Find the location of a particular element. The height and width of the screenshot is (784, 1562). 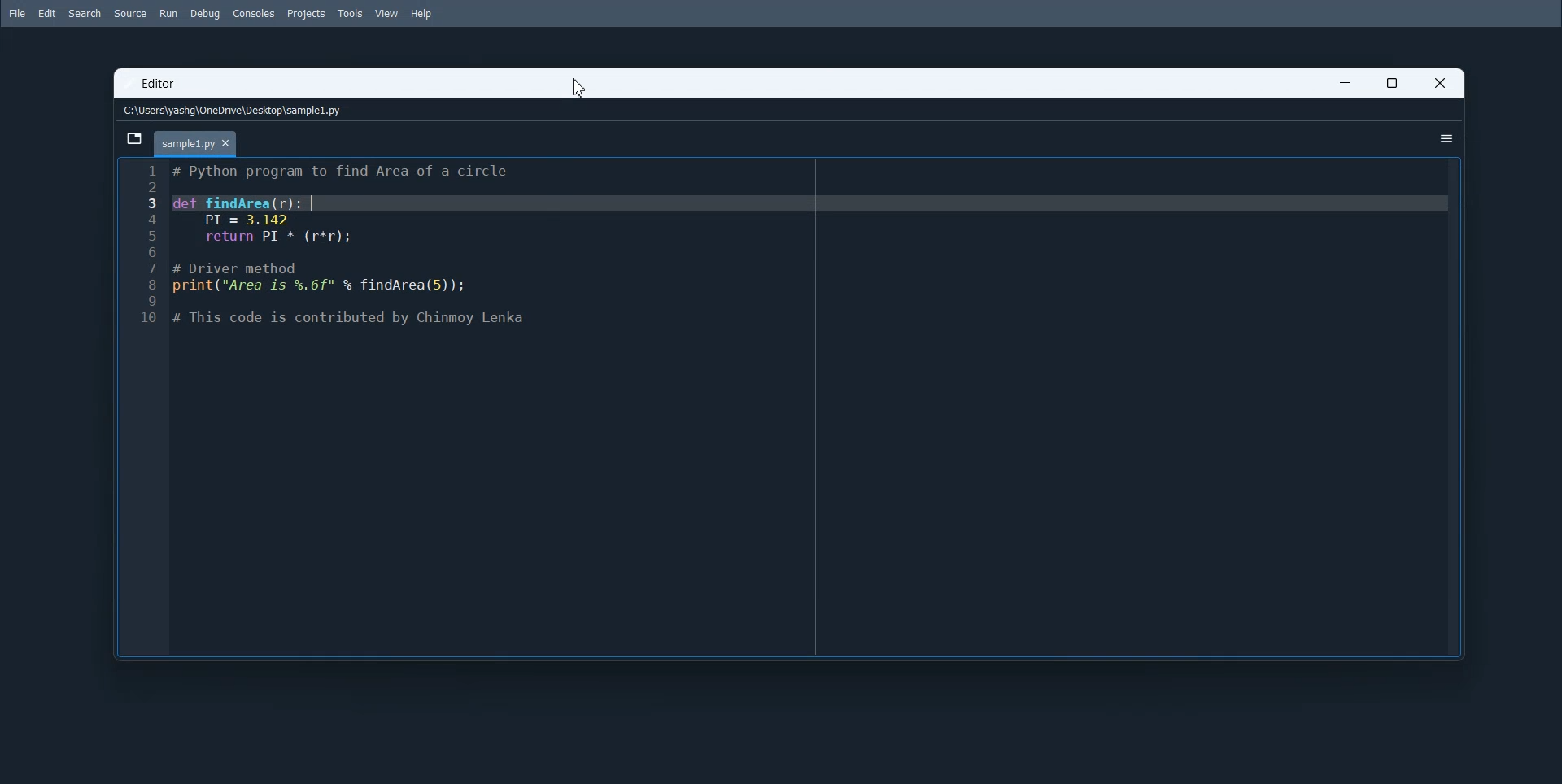

Search is located at coordinates (85, 14).